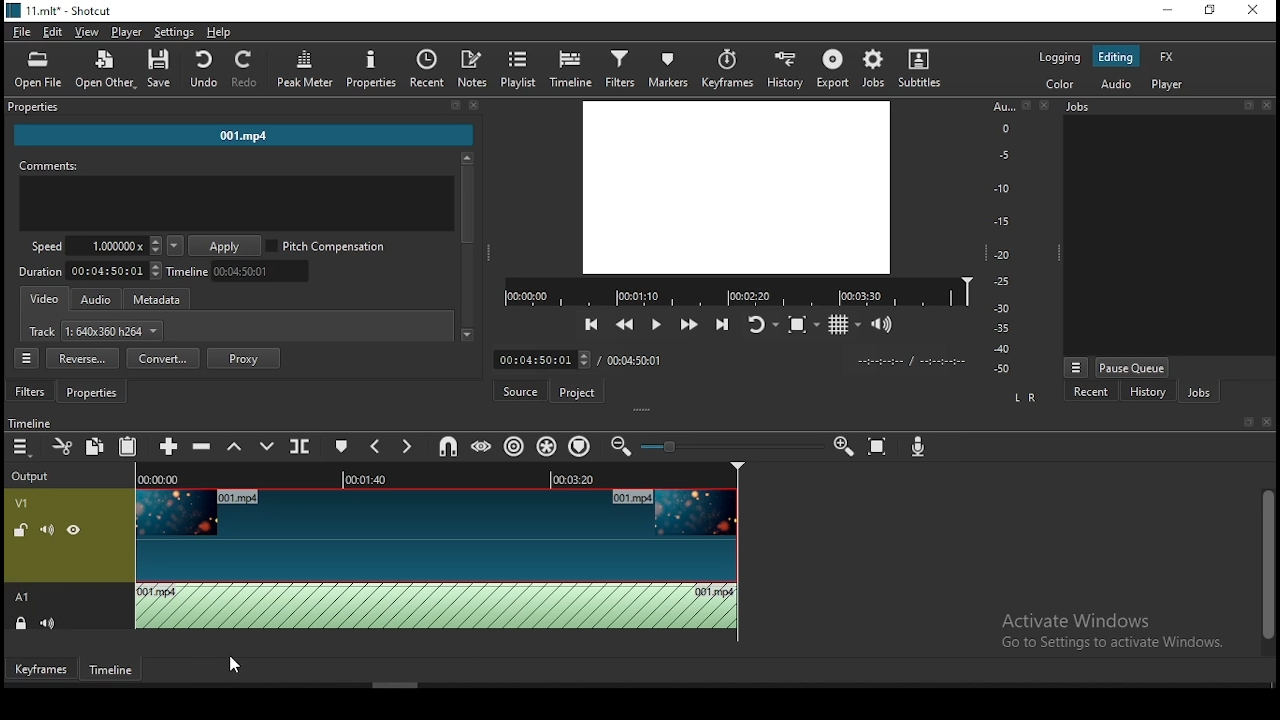  I want to click on properties menu, so click(26, 358).